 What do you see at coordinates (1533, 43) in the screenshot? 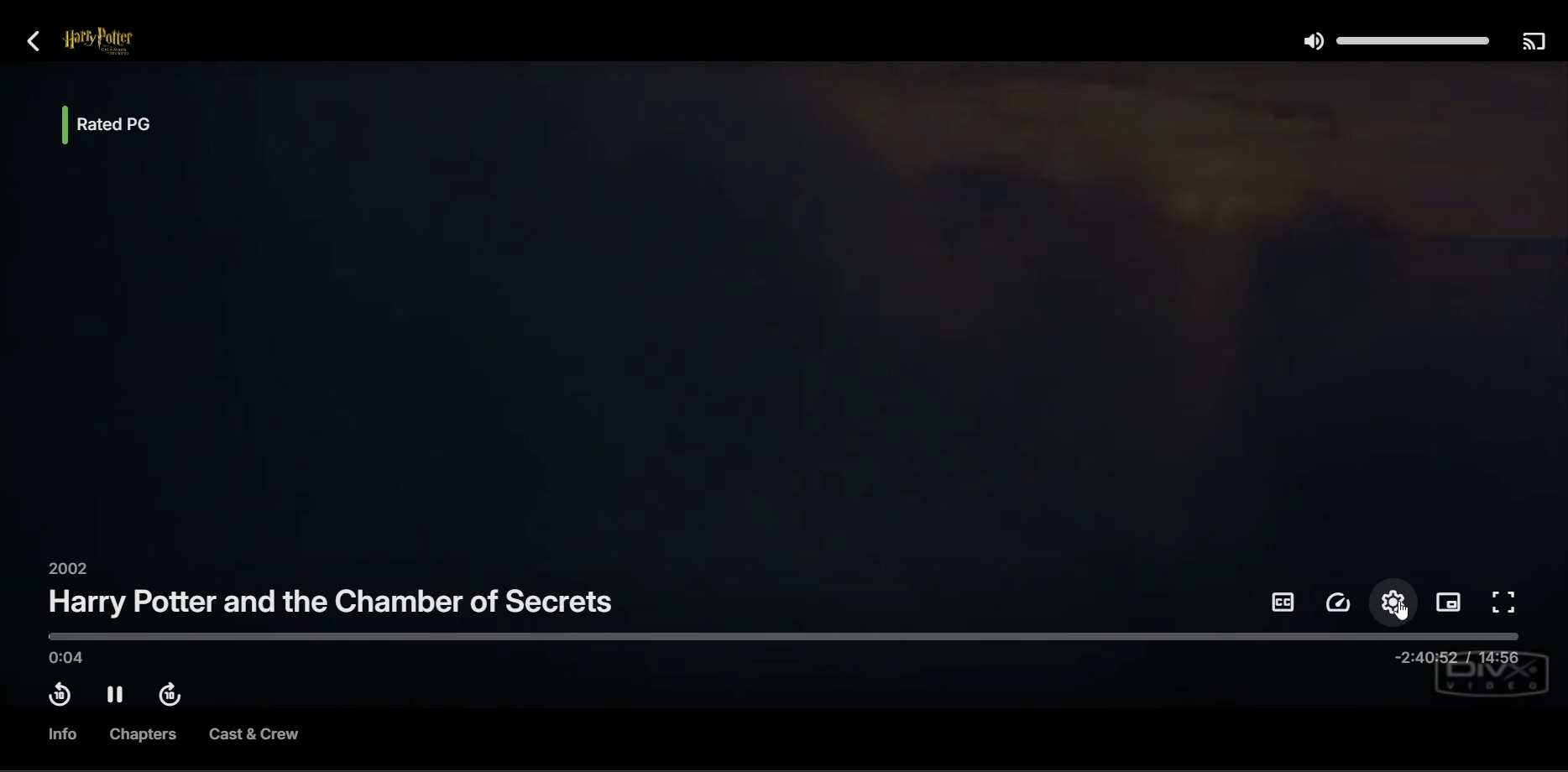
I see `Play on another device` at bounding box center [1533, 43].